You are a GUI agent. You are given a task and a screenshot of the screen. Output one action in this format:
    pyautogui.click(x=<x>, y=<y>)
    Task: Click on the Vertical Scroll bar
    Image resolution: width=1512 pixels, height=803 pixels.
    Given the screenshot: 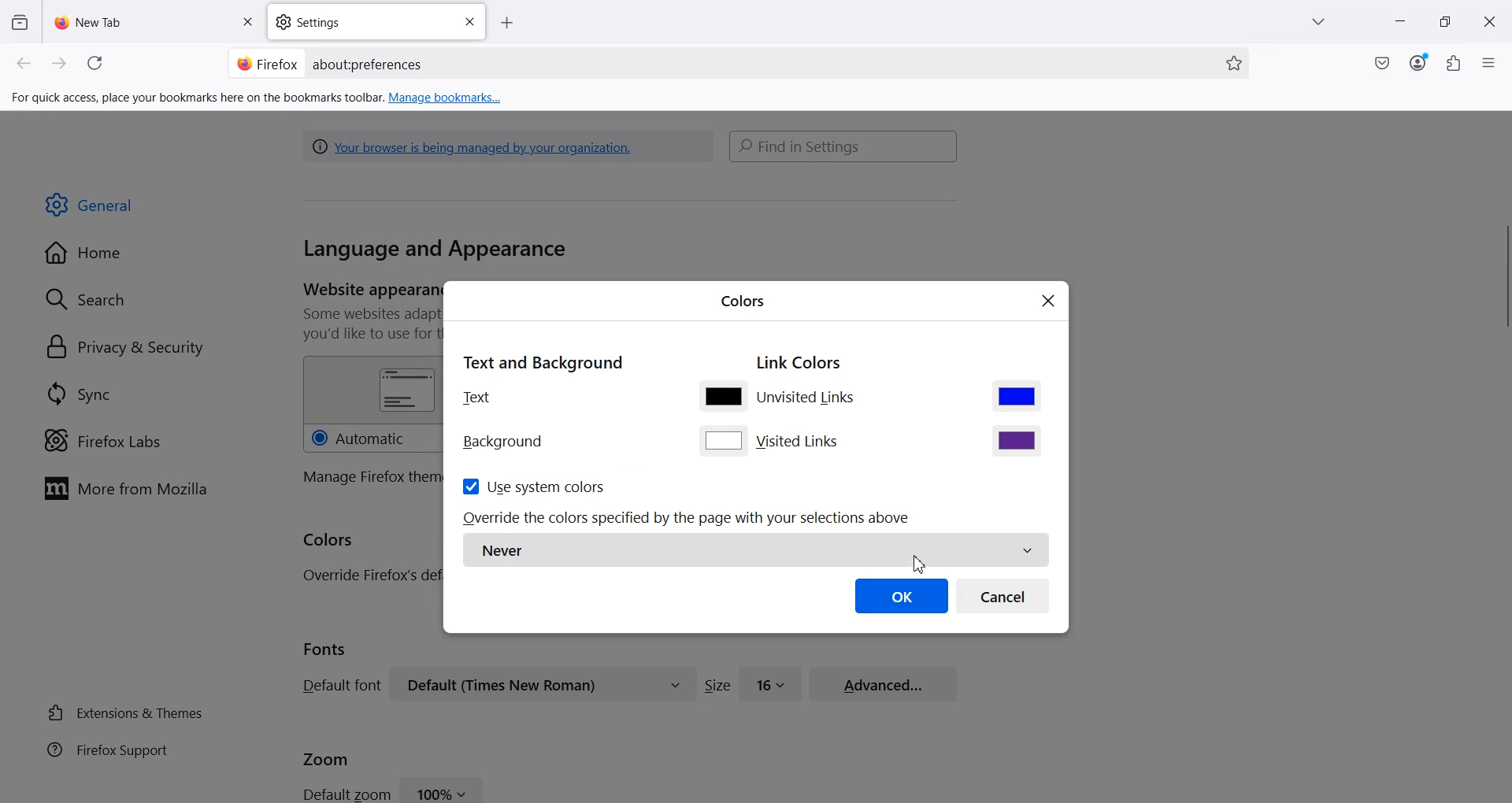 What is the action you would take?
    pyautogui.click(x=1503, y=280)
    